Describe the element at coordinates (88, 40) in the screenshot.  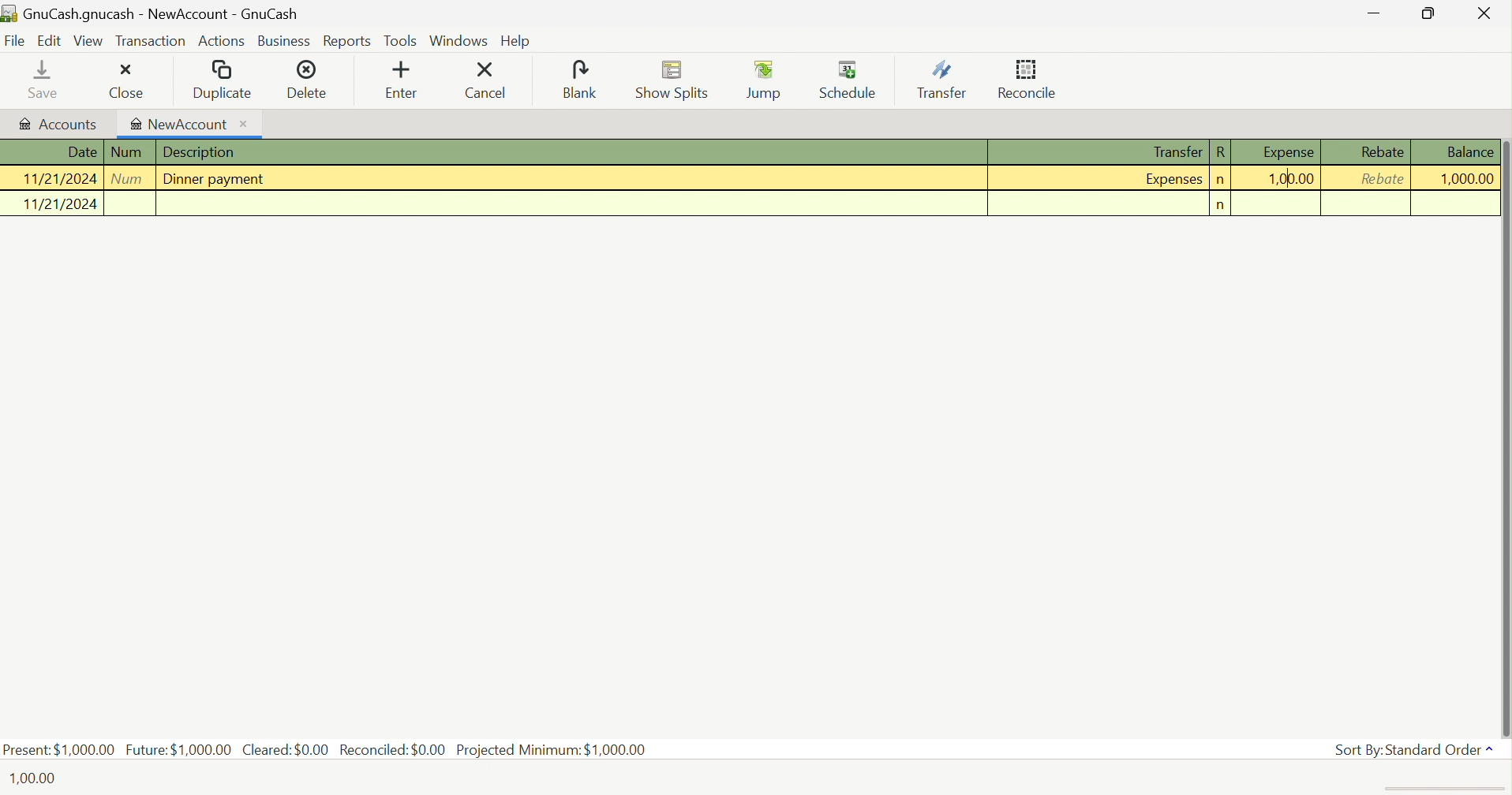
I see `View` at that location.